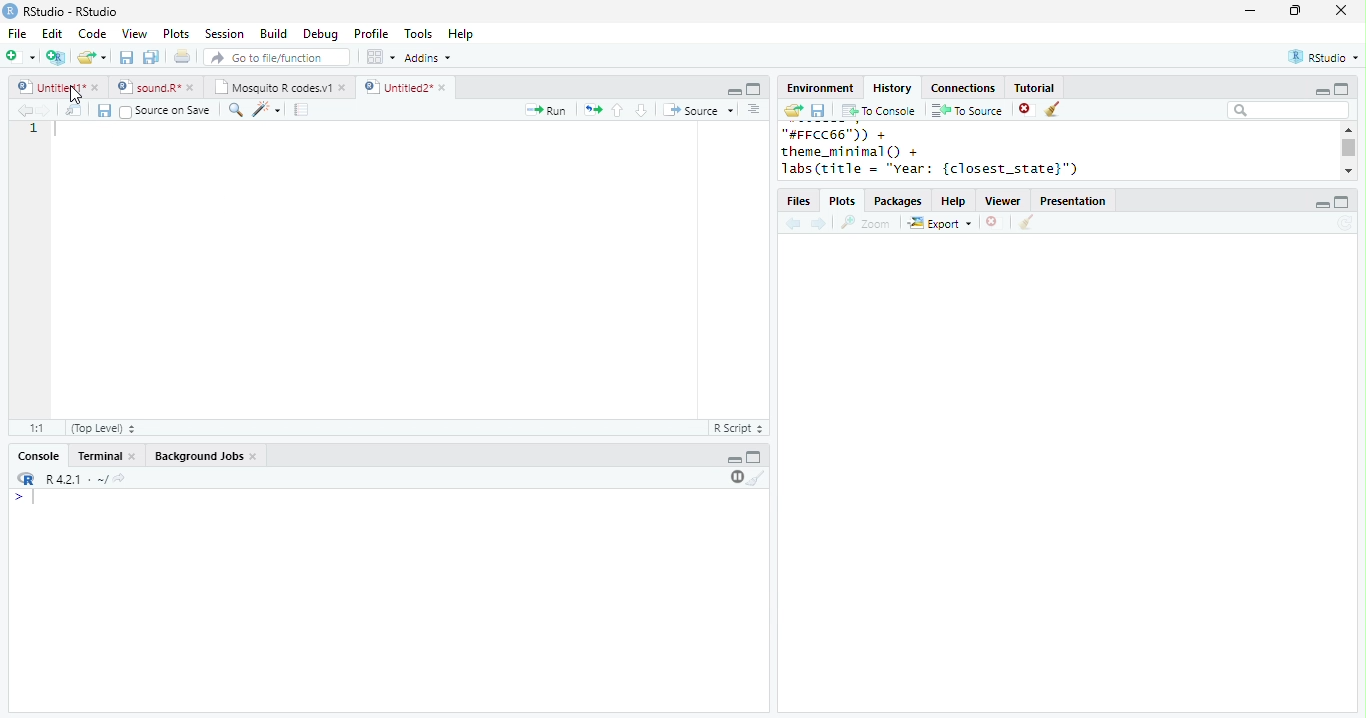 This screenshot has width=1366, height=718. I want to click on scroll down, so click(1348, 170).